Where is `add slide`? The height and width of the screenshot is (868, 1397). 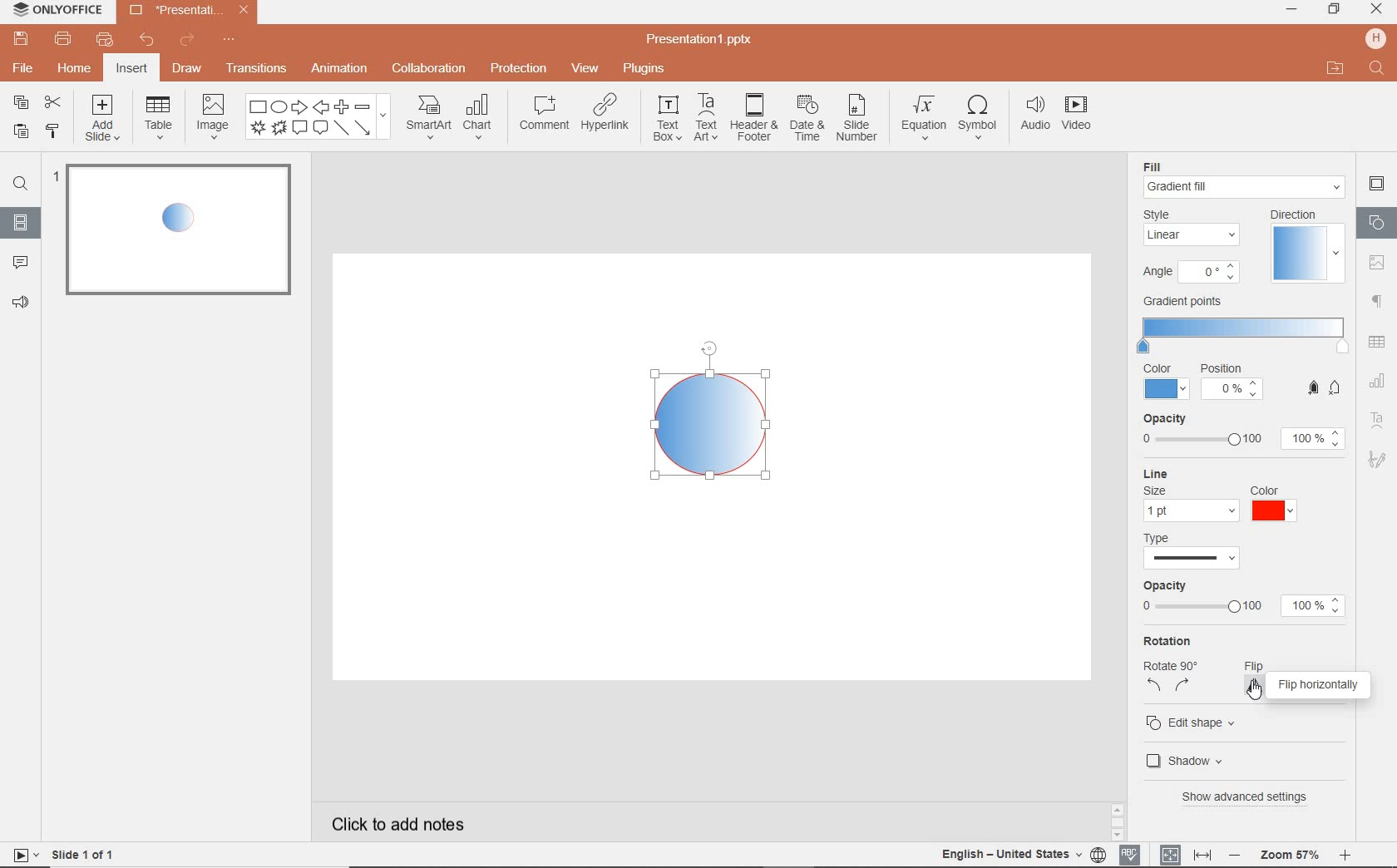 add slide is located at coordinates (104, 119).